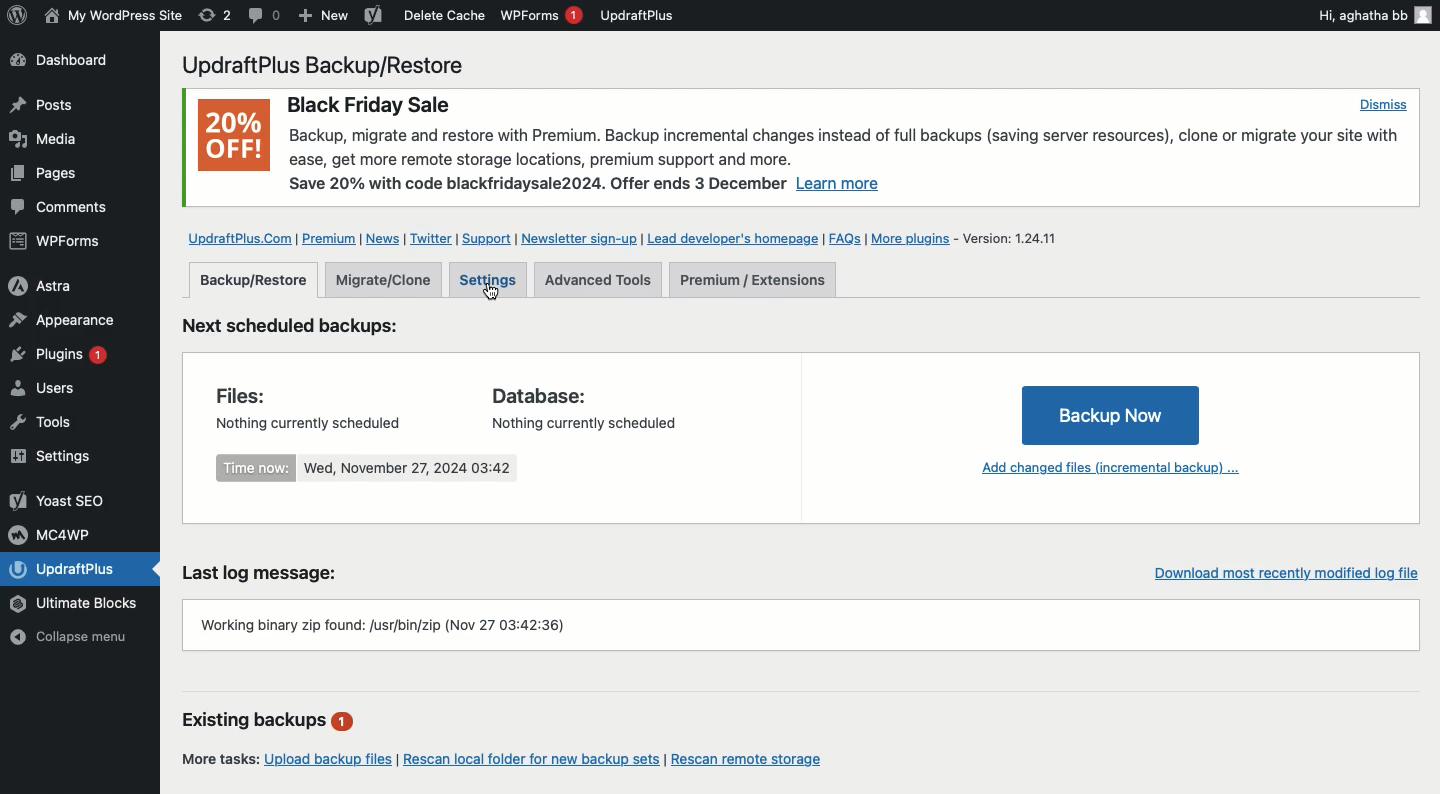 The height and width of the screenshot is (794, 1440). Describe the element at coordinates (54, 422) in the screenshot. I see `Tools` at that location.